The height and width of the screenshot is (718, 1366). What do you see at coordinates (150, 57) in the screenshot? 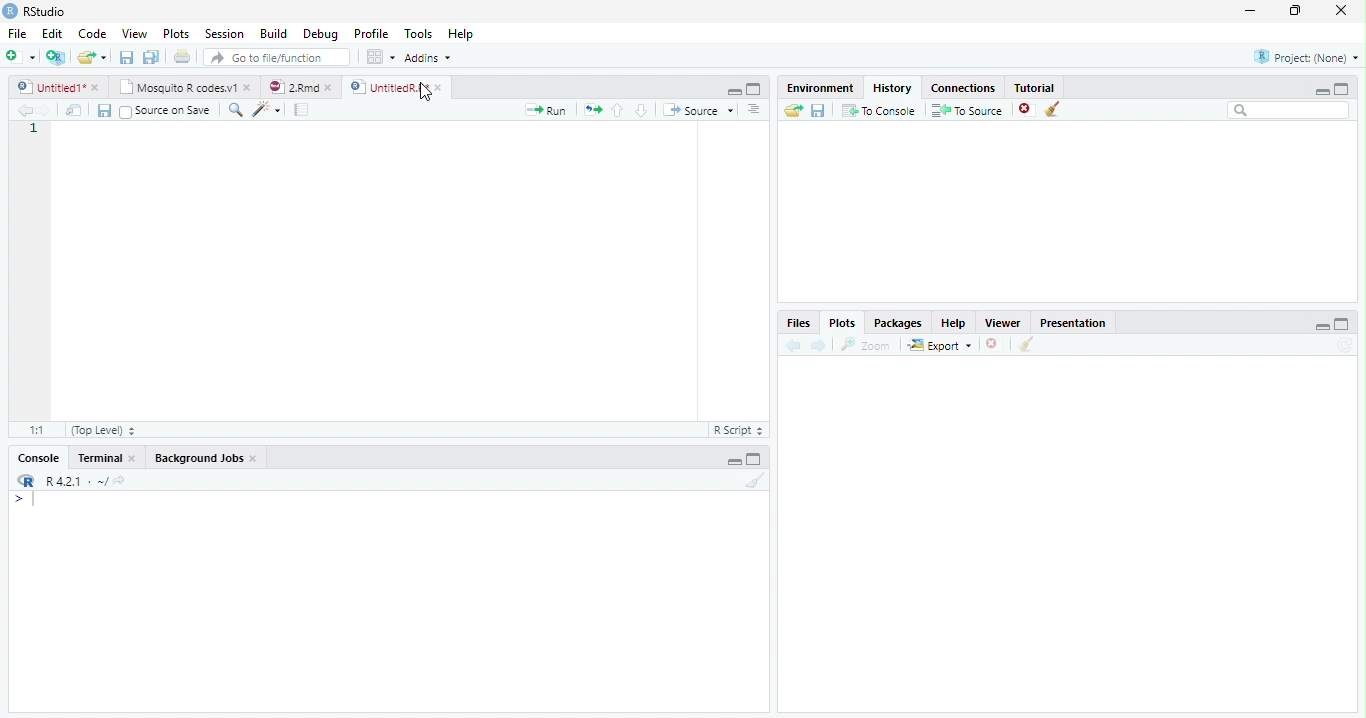
I see `Save All open documents` at bounding box center [150, 57].